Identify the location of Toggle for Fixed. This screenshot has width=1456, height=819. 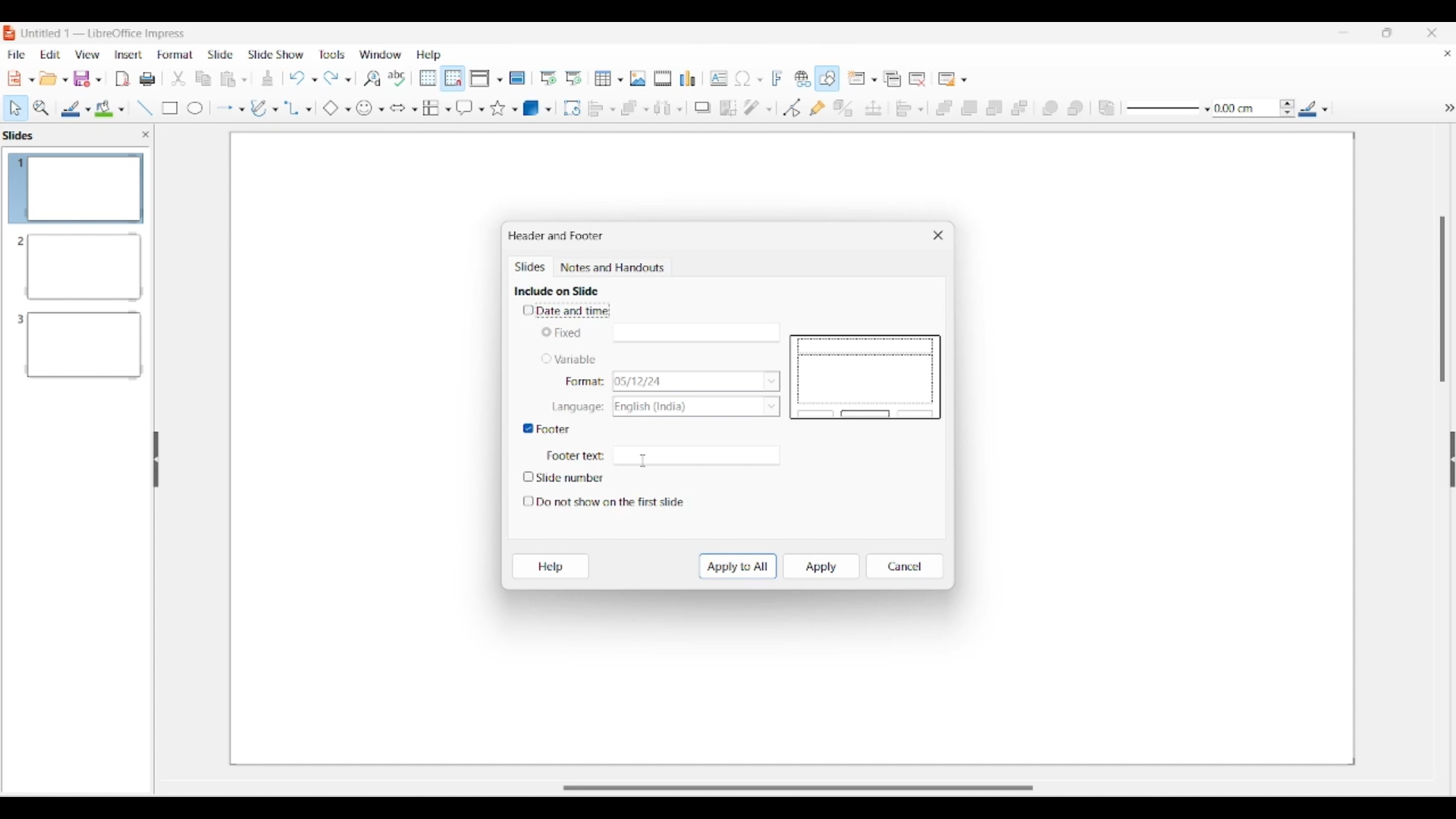
(564, 333).